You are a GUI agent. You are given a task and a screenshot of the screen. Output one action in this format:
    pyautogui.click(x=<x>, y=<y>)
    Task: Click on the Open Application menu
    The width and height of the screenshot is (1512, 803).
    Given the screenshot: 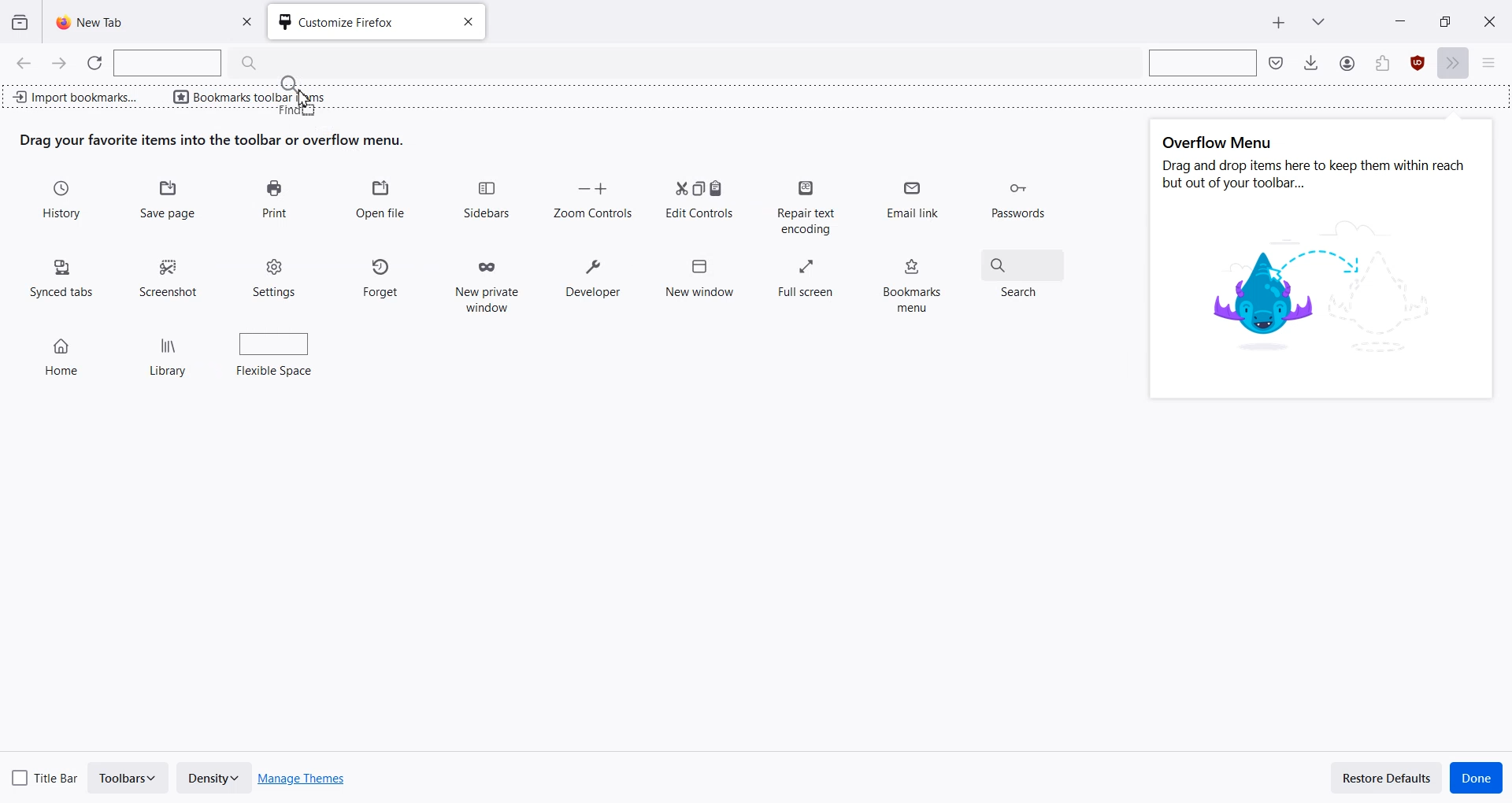 What is the action you would take?
    pyautogui.click(x=1495, y=64)
    